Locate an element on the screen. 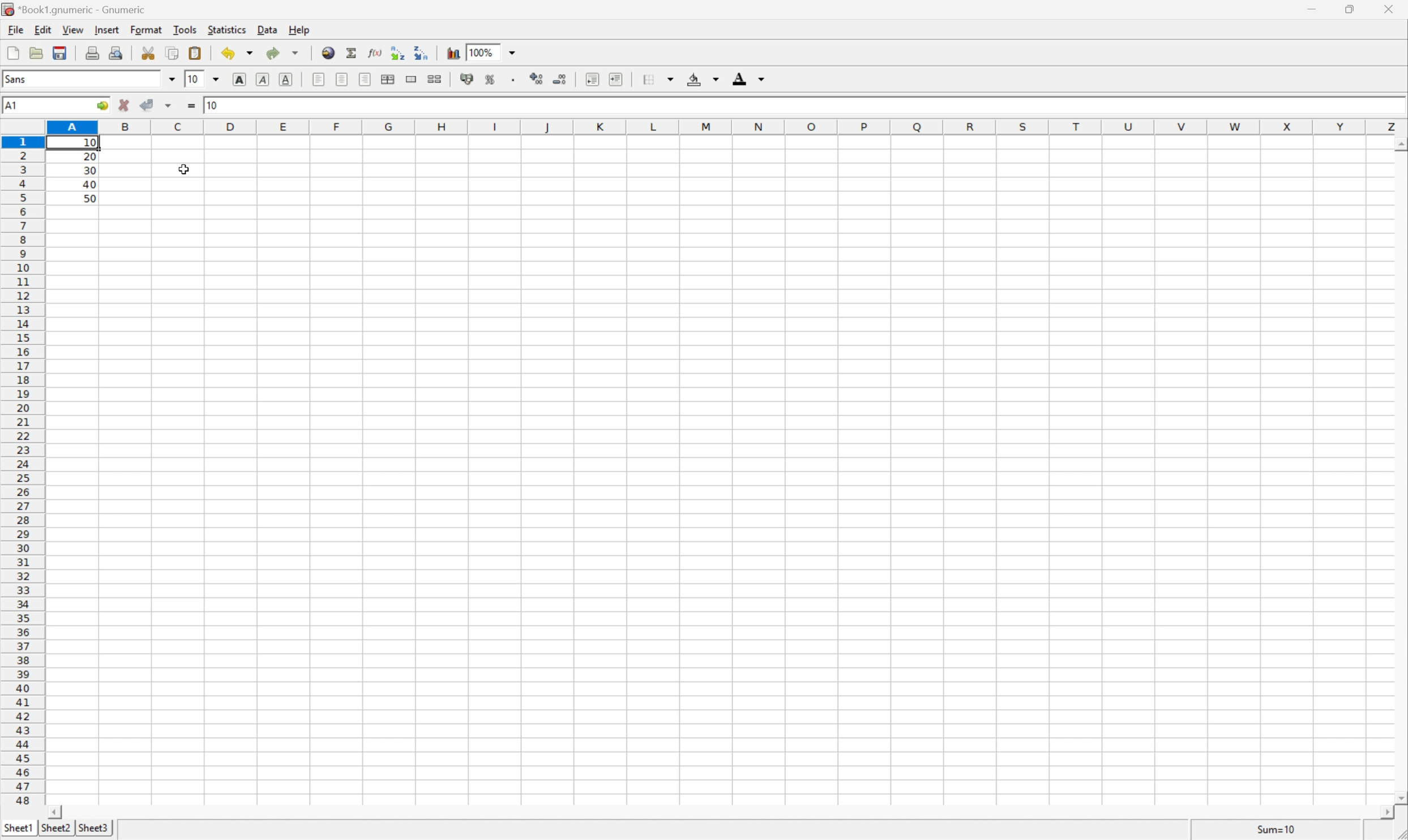 The width and height of the screenshot is (1408, 840). Drop down is located at coordinates (716, 79).